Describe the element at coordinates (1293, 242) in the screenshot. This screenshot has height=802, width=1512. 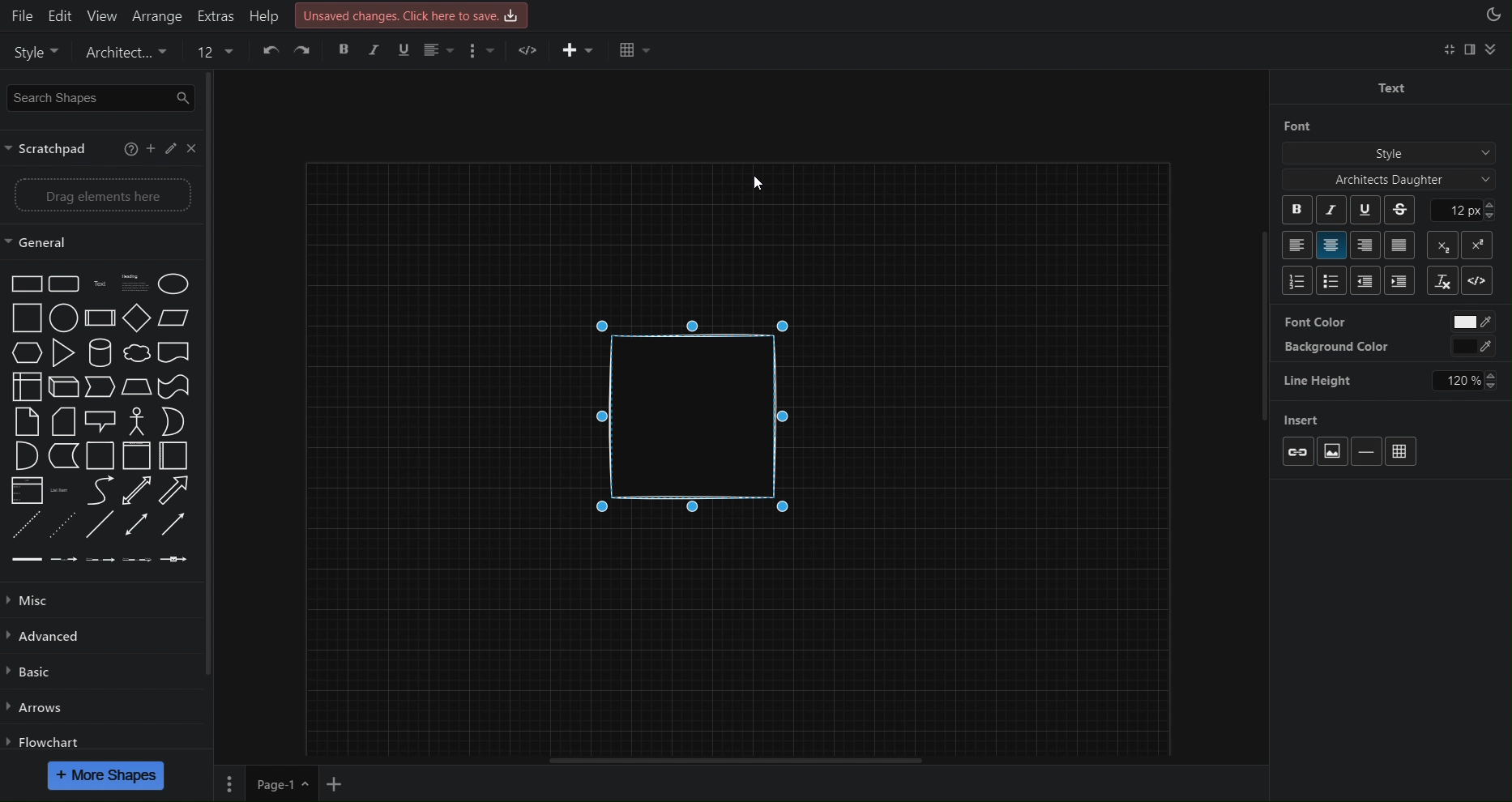
I see `Left` at that location.